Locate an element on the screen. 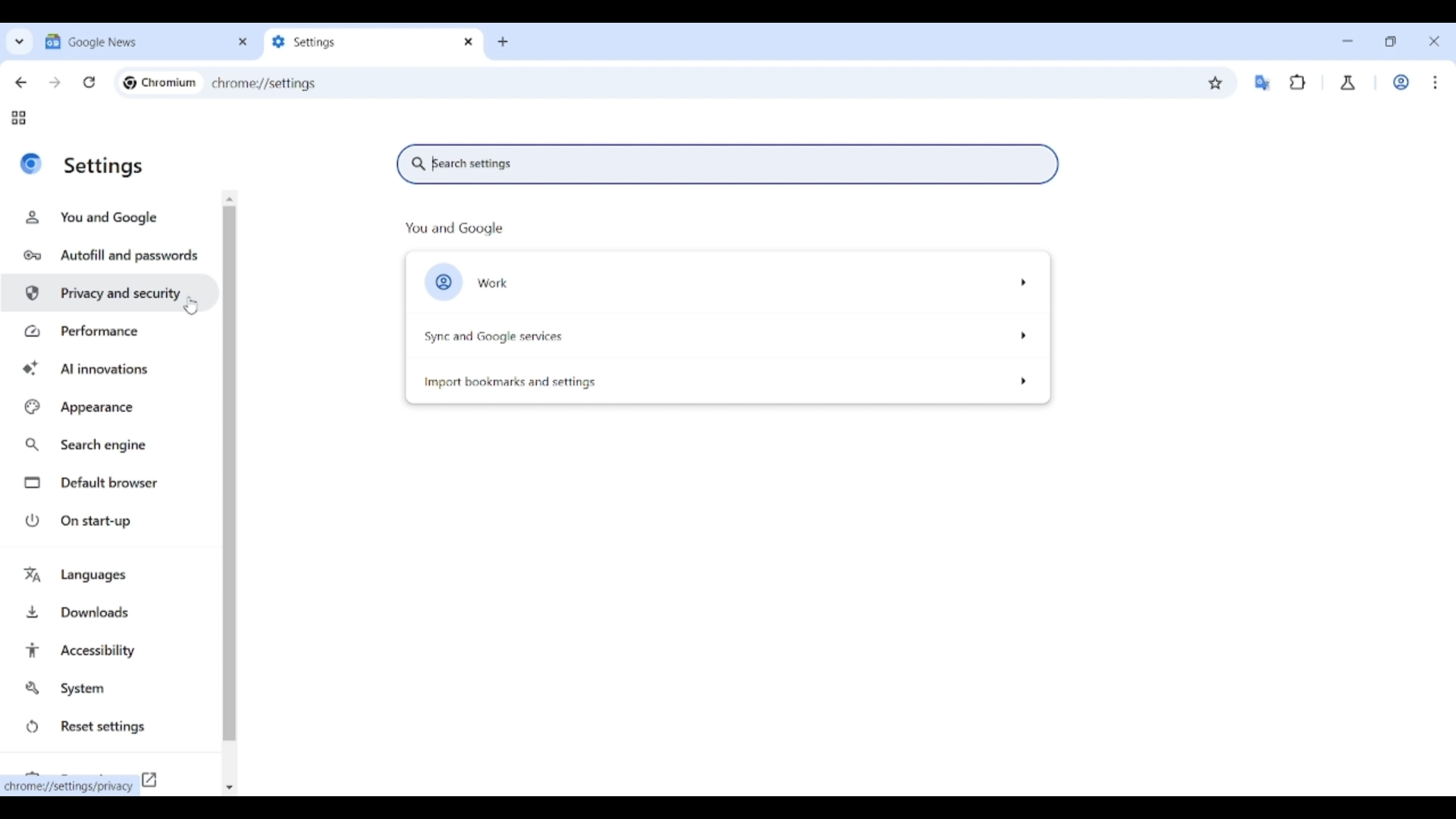 This screenshot has height=819, width=1456. Search Google or enter web link is located at coordinates (752, 83).